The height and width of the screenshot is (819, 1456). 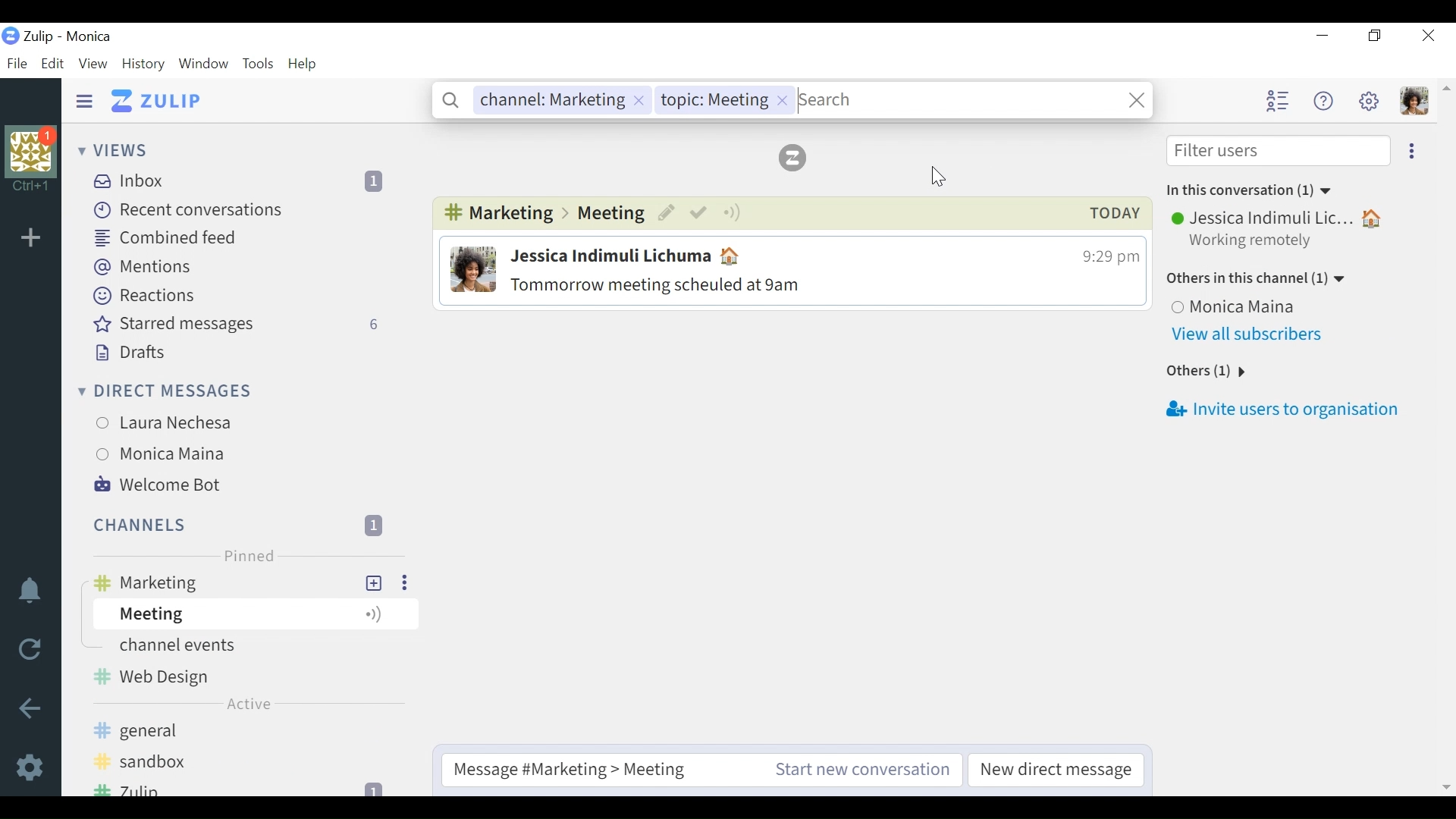 I want to click on Configure topic notification, so click(x=733, y=214).